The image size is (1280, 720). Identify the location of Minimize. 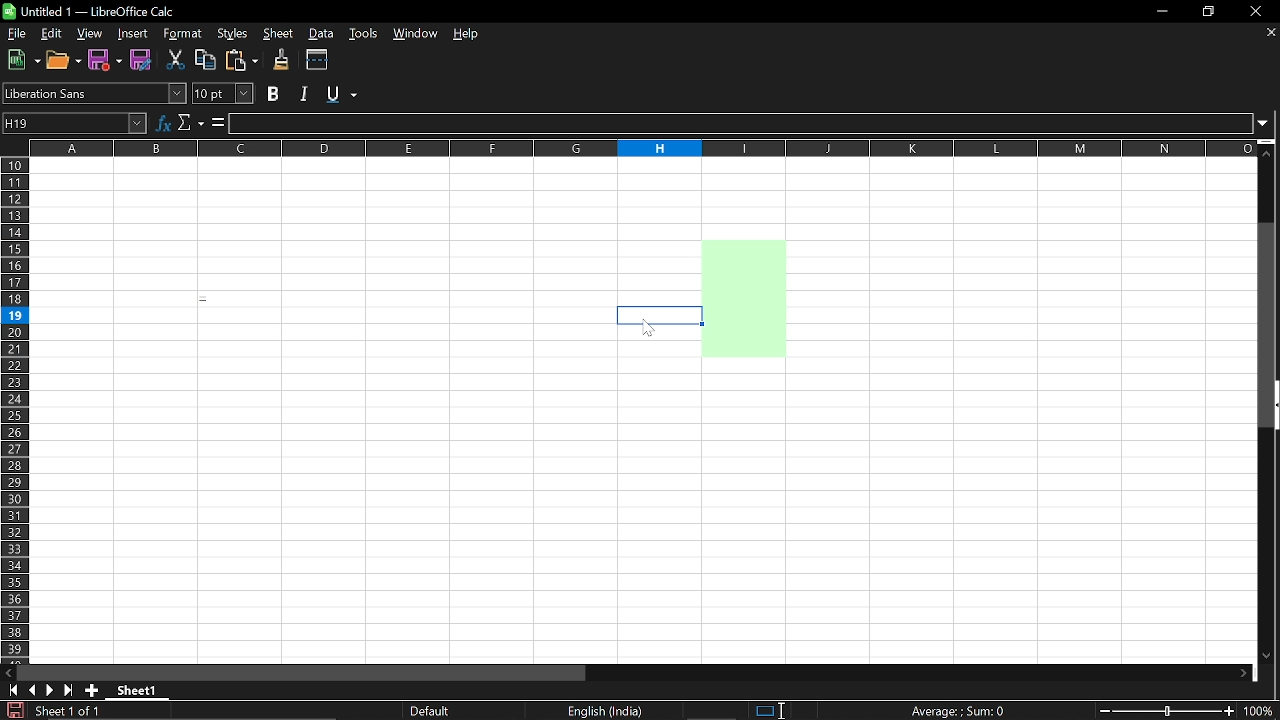
(1162, 11).